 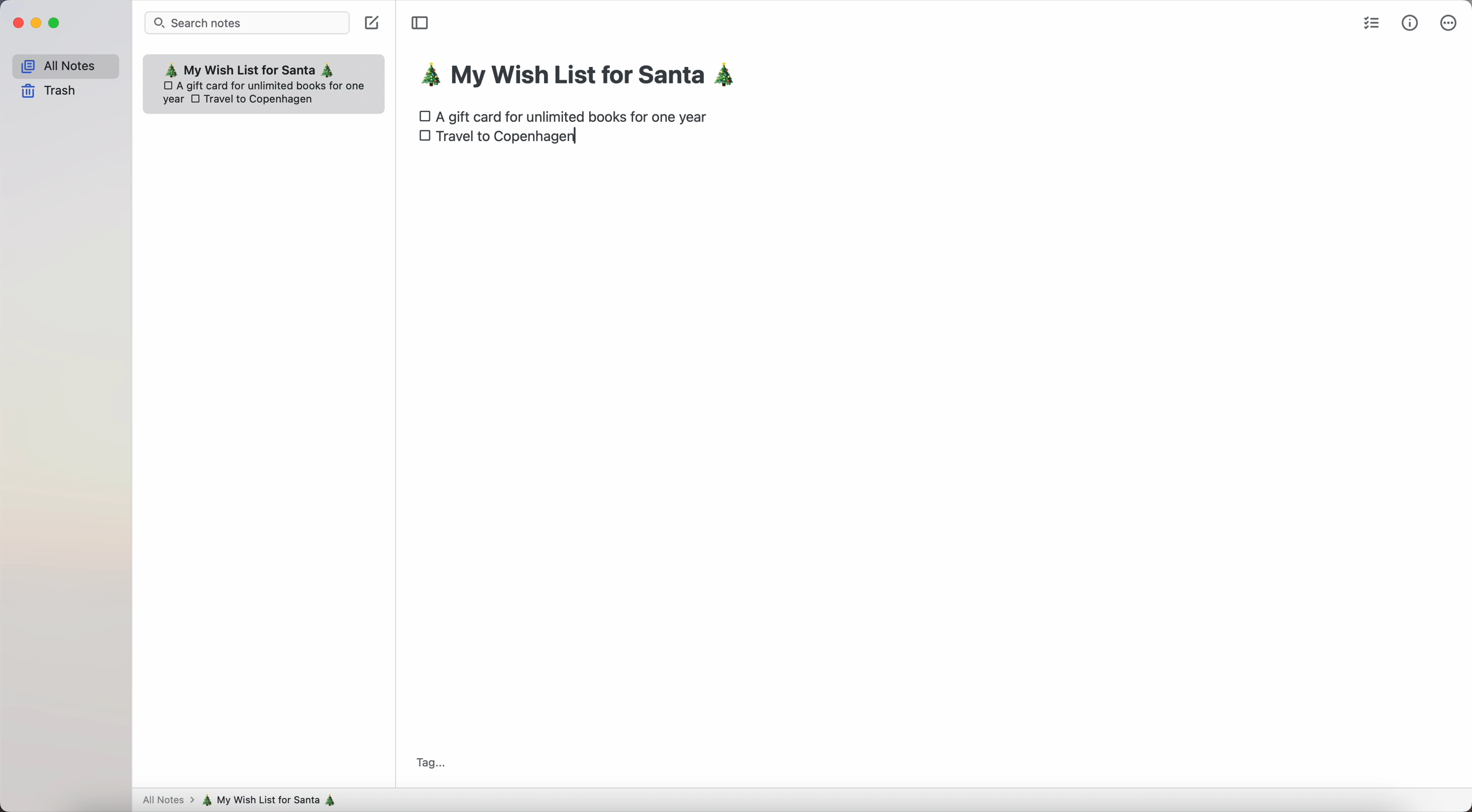 I want to click on check list, so click(x=1373, y=24).